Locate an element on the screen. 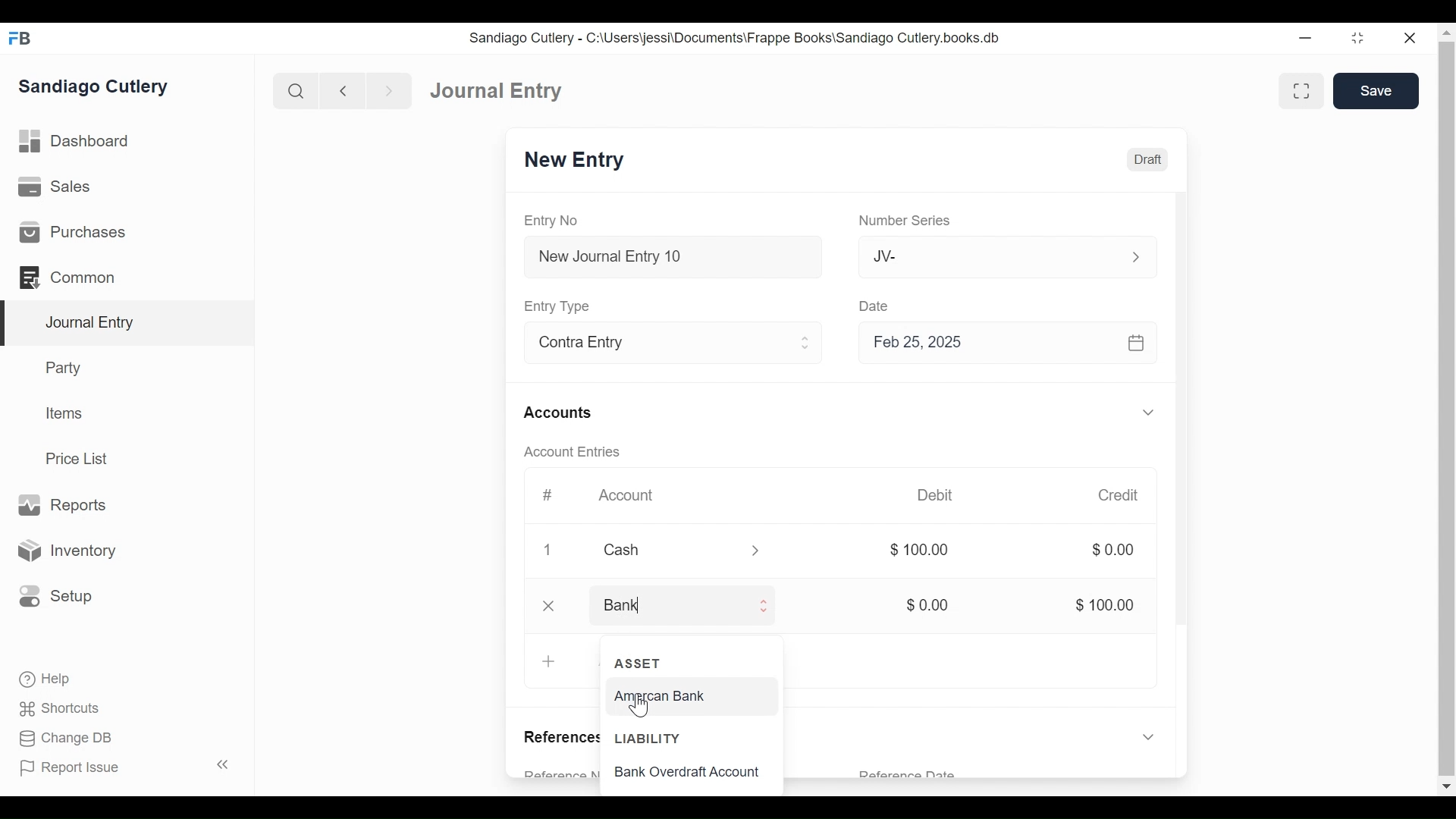 The image size is (1456, 819). Navigate Forward is located at coordinates (390, 89).